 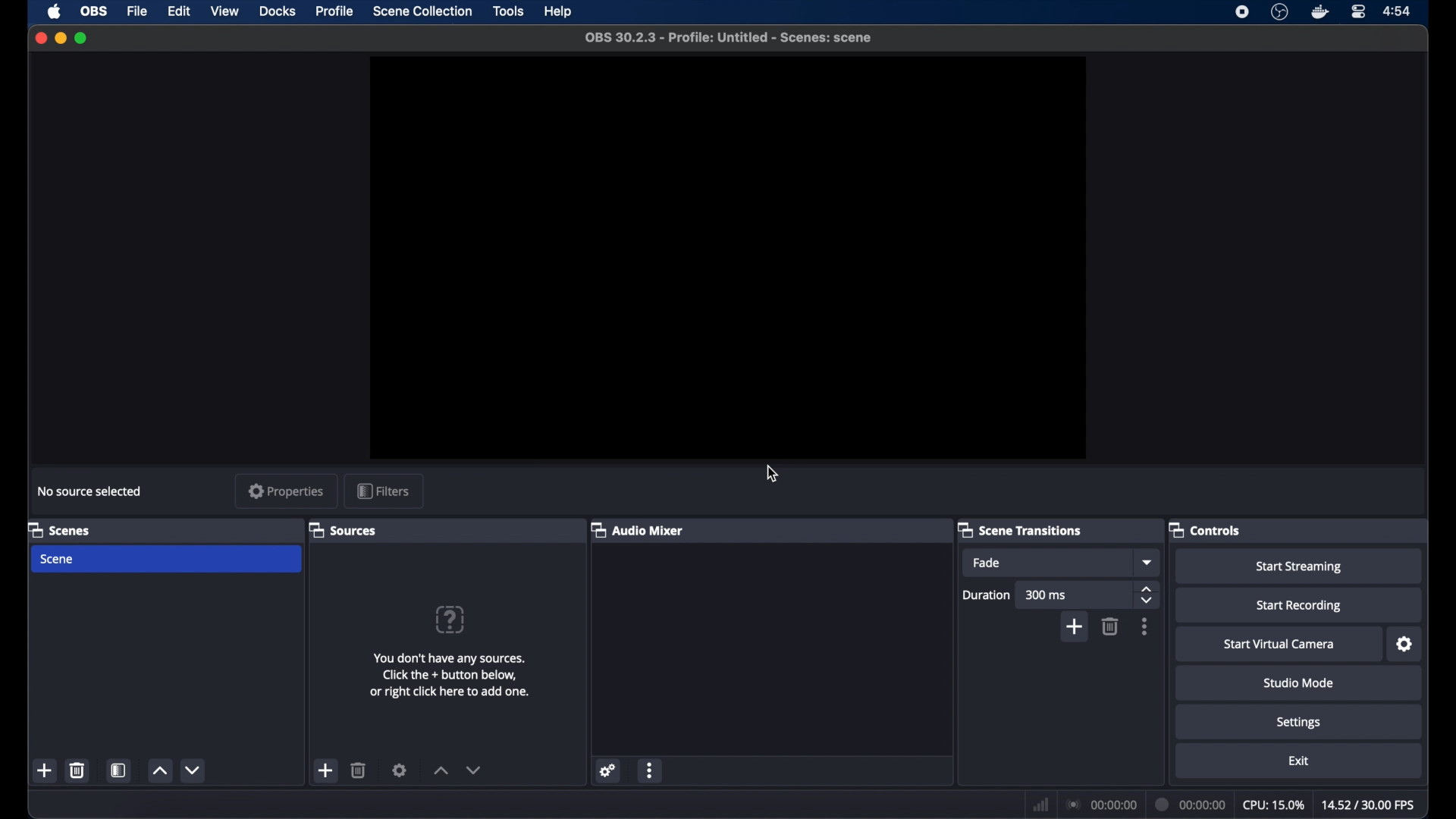 What do you see at coordinates (1110, 626) in the screenshot?
I see `trash` at bounding box center [1110, 626].